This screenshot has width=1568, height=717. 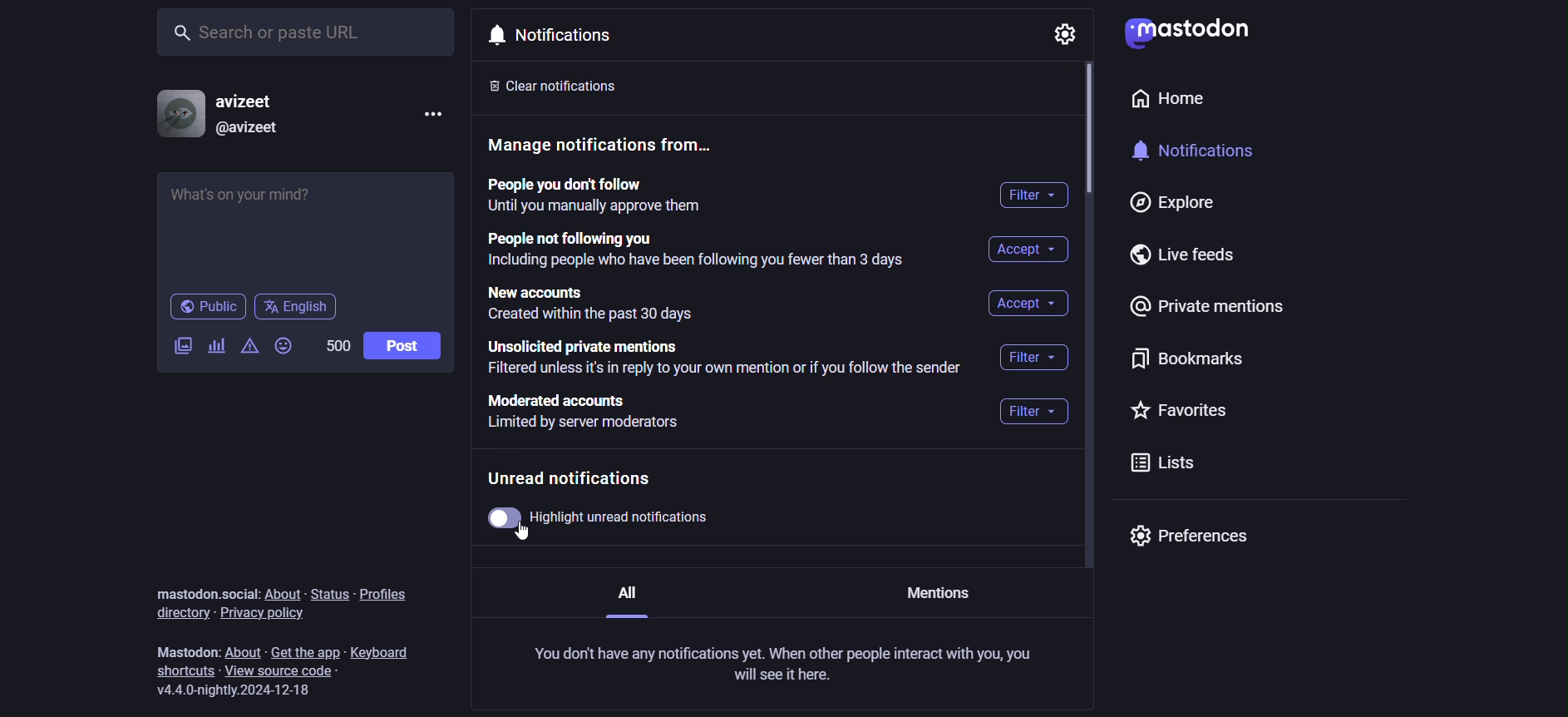 I want to click on profile picture, so click(x=177, y=114).